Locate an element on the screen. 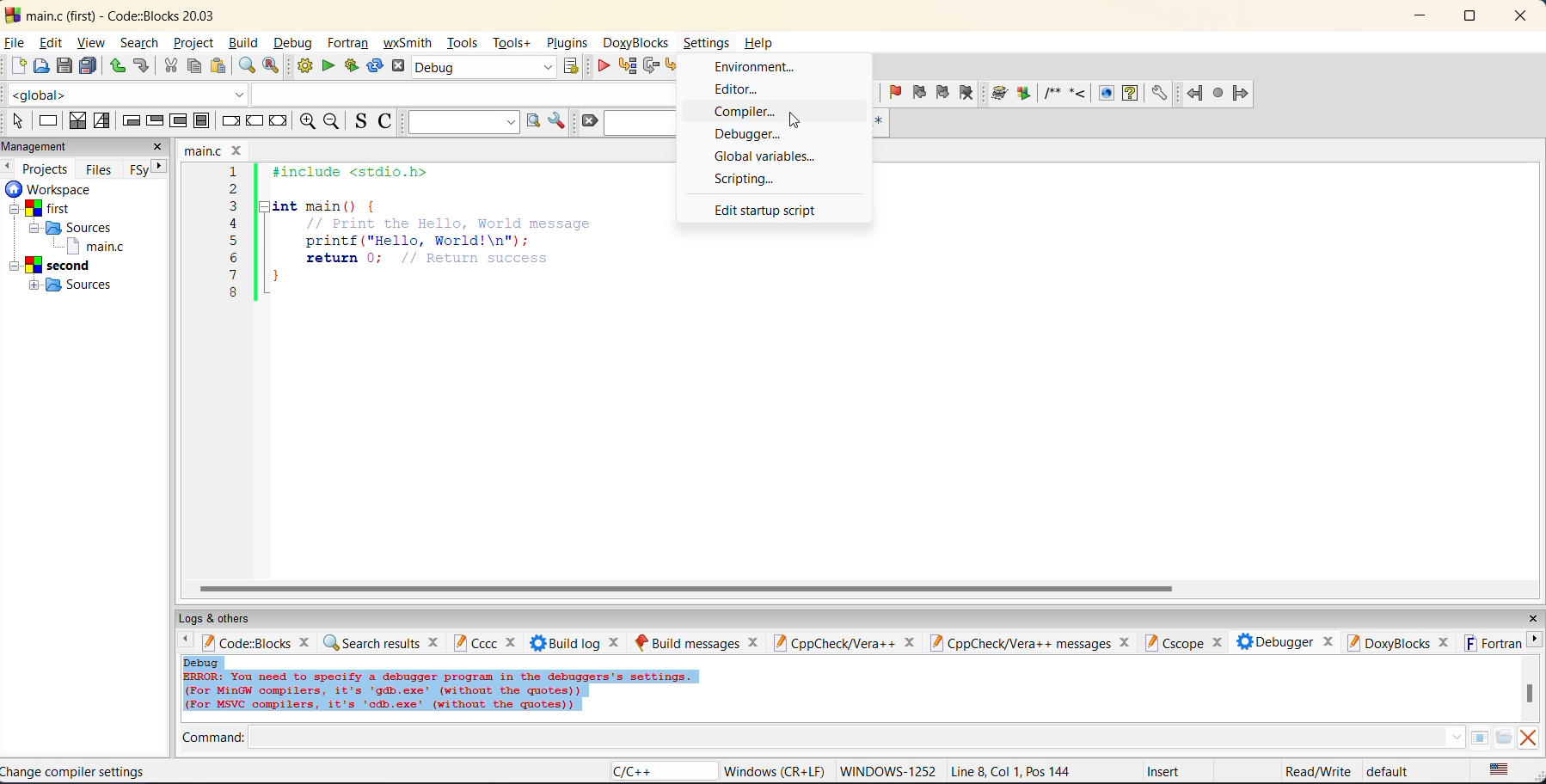  clear is located at coordinates (589, 119).